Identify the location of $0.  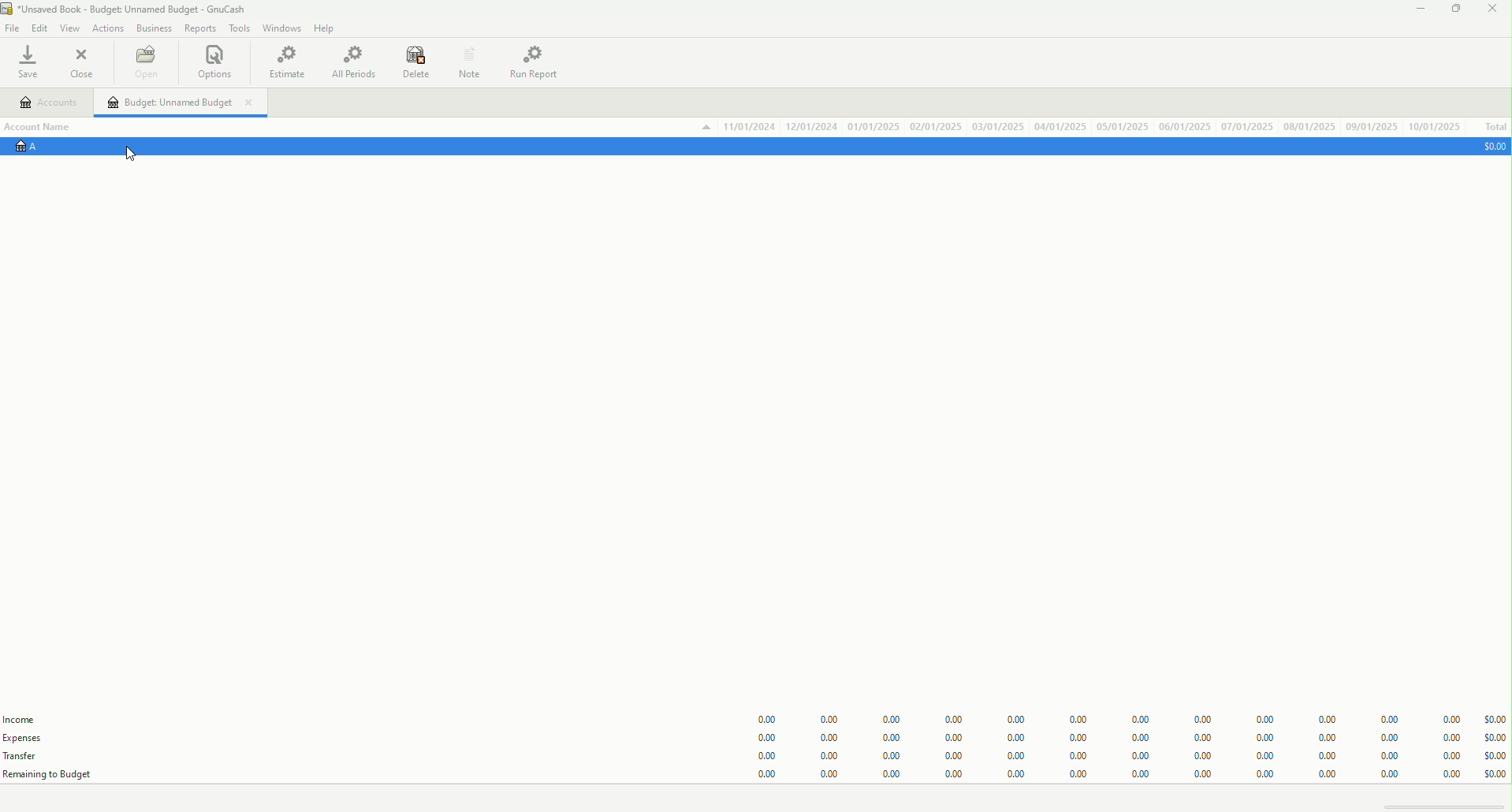
(1490, 148).